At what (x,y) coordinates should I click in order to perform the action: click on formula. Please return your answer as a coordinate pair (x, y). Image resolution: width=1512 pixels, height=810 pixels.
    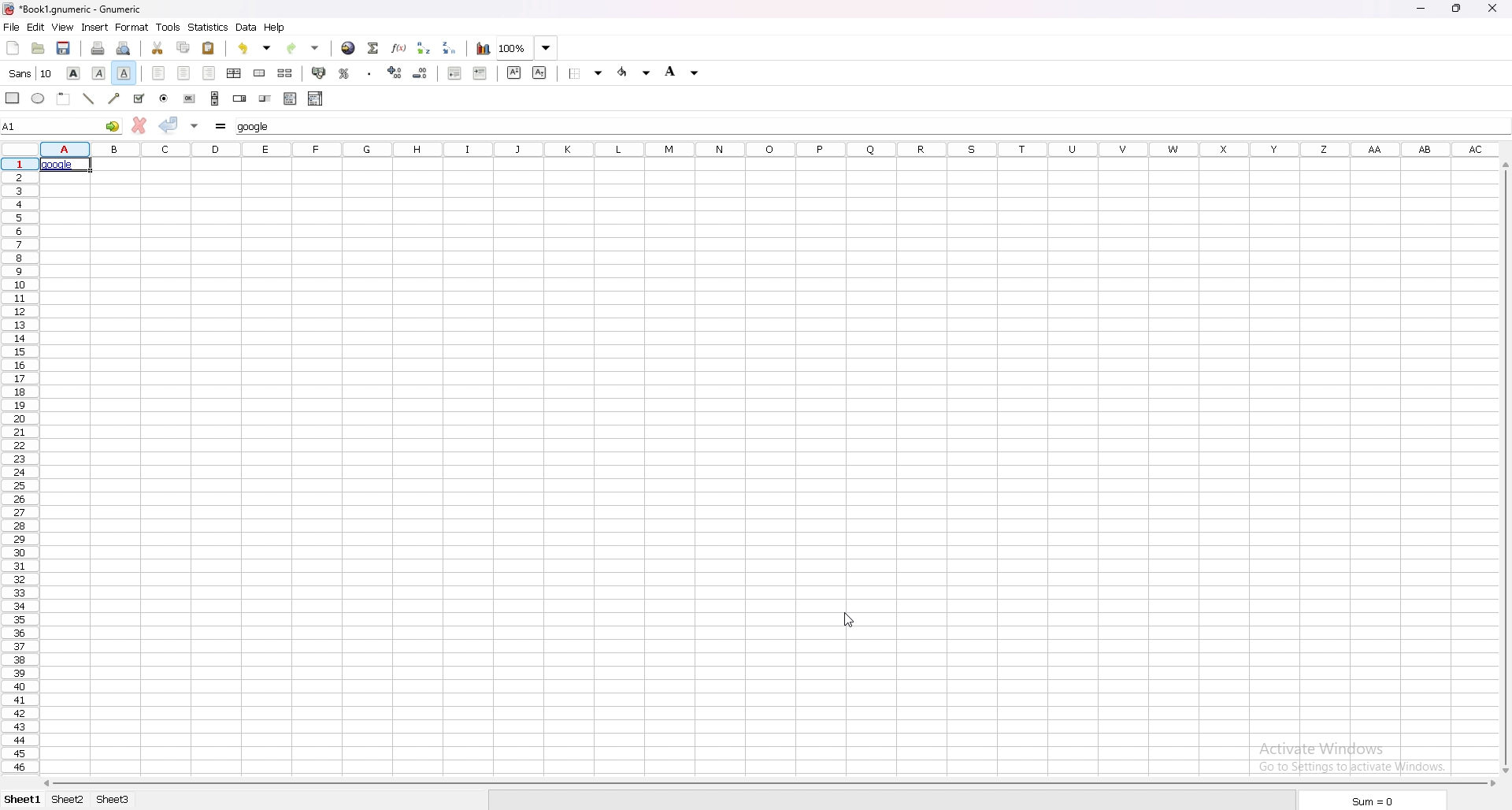
    Looking at the image, I should click on (220, 125).